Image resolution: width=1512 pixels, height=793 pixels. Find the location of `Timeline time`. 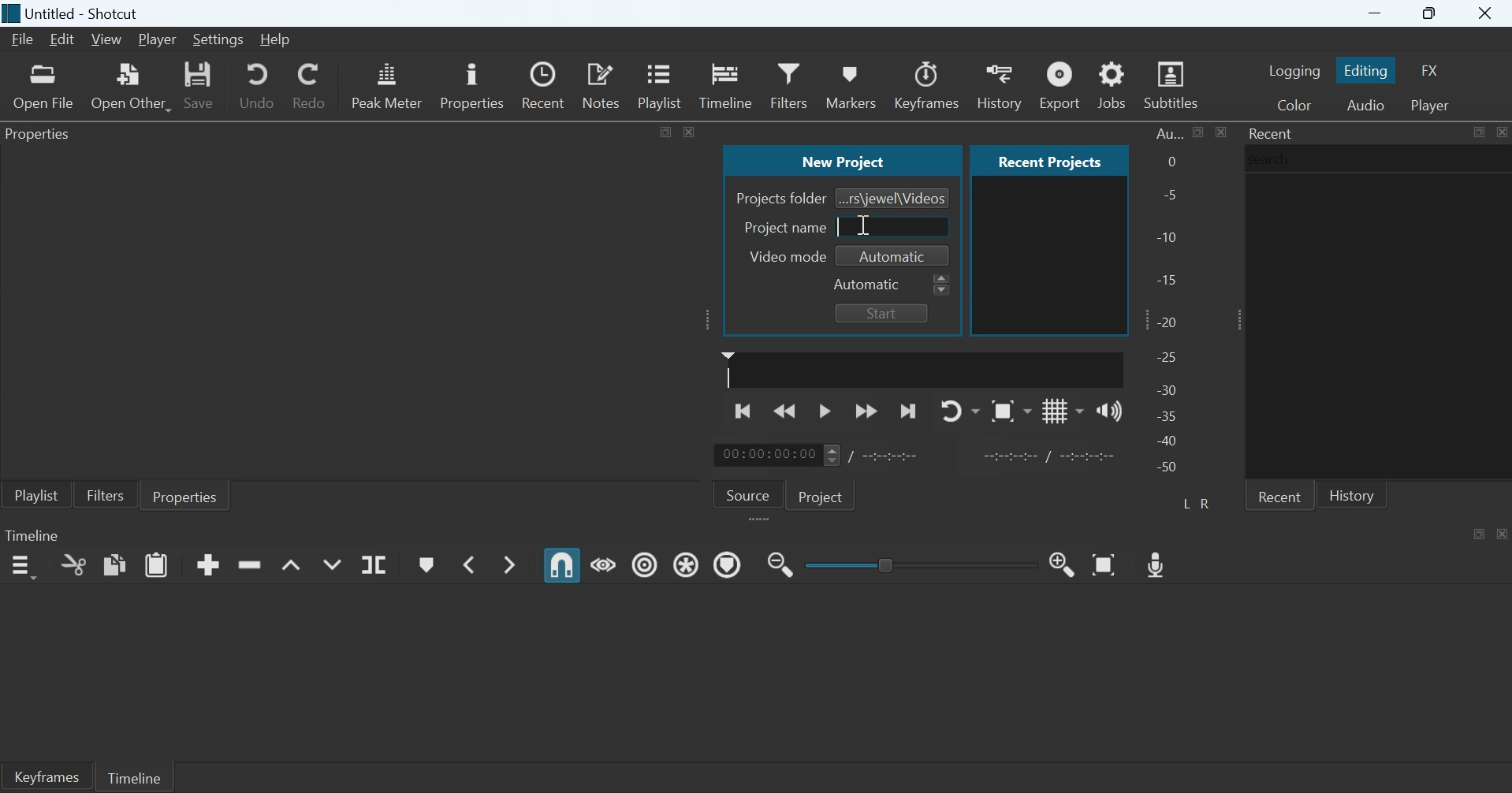

Timeline time is located at coordinates (766, 455).